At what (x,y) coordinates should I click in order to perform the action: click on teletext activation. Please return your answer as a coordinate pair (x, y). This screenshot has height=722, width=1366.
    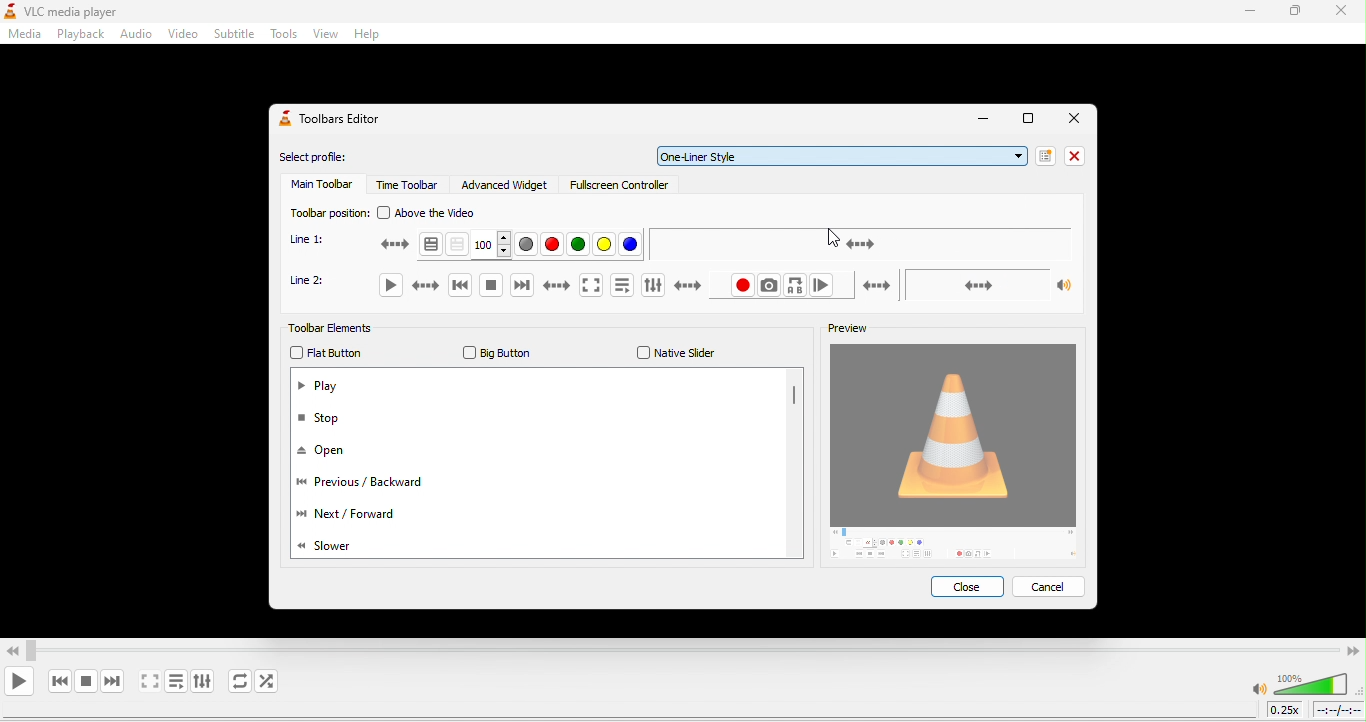
    Looking at the image, I should click on (411, 246).